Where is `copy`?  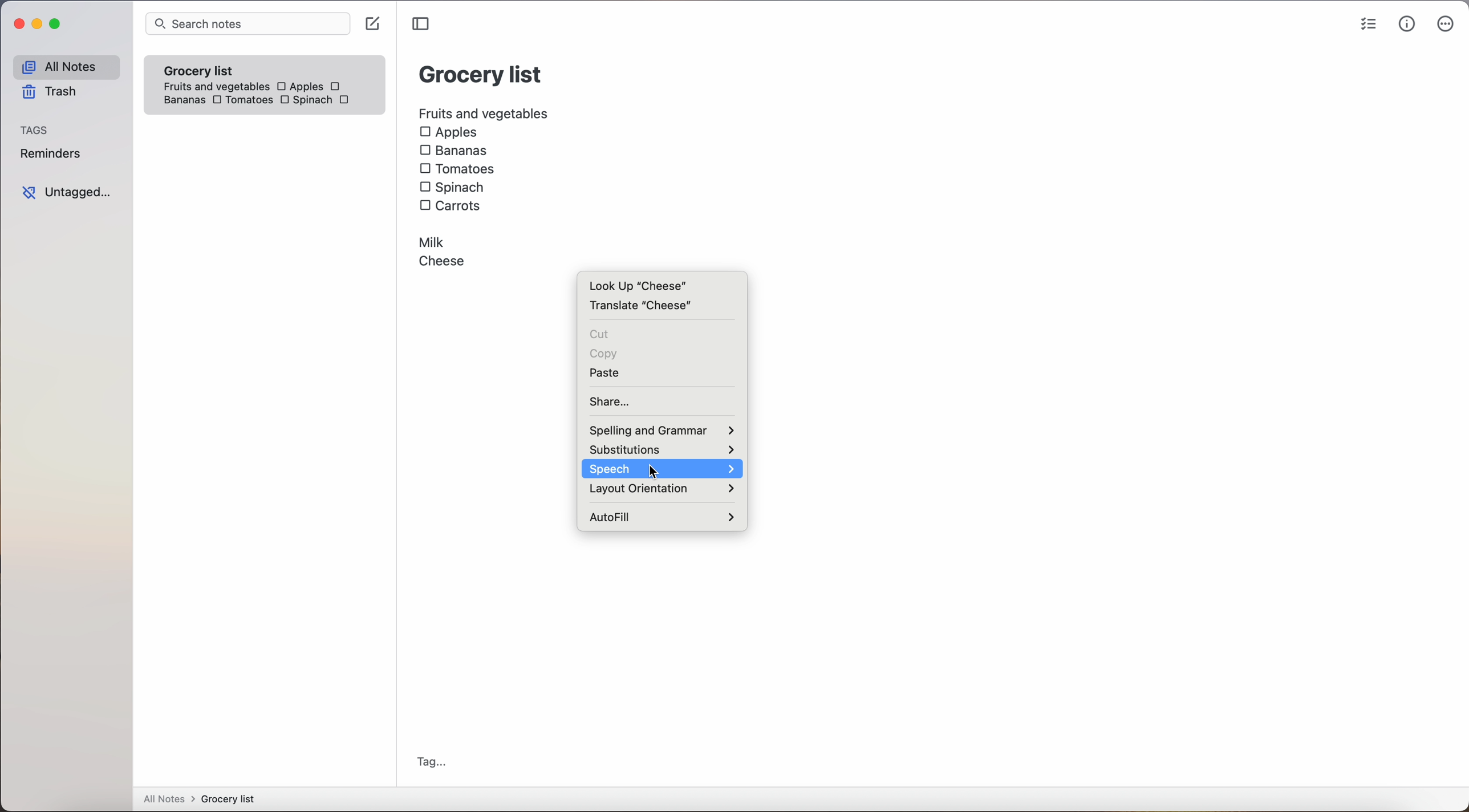 copy is located at coordinates (606, 353).